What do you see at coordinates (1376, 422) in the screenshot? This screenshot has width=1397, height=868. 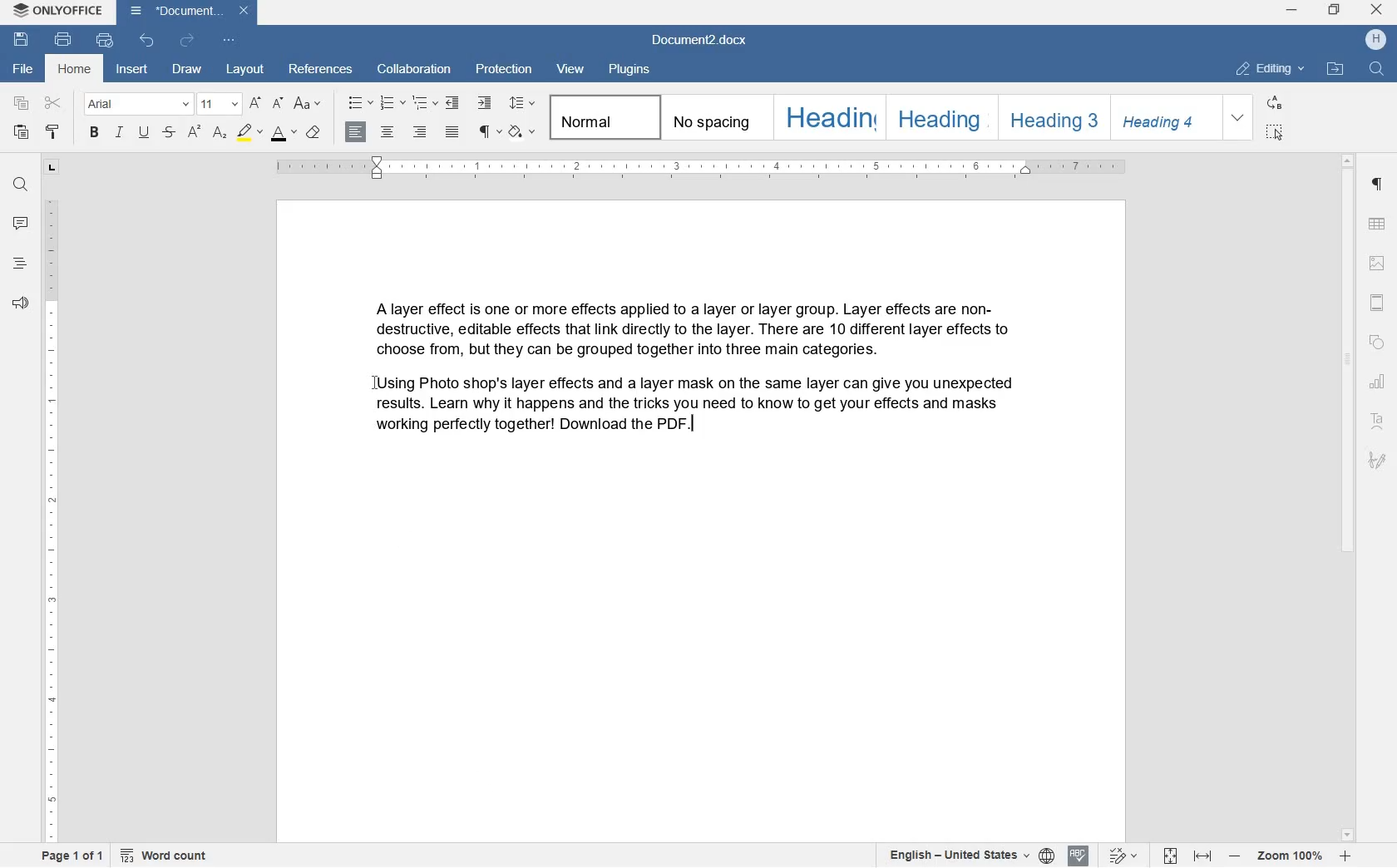 I see `TEXT ART` at bounding box center [1376, 422].